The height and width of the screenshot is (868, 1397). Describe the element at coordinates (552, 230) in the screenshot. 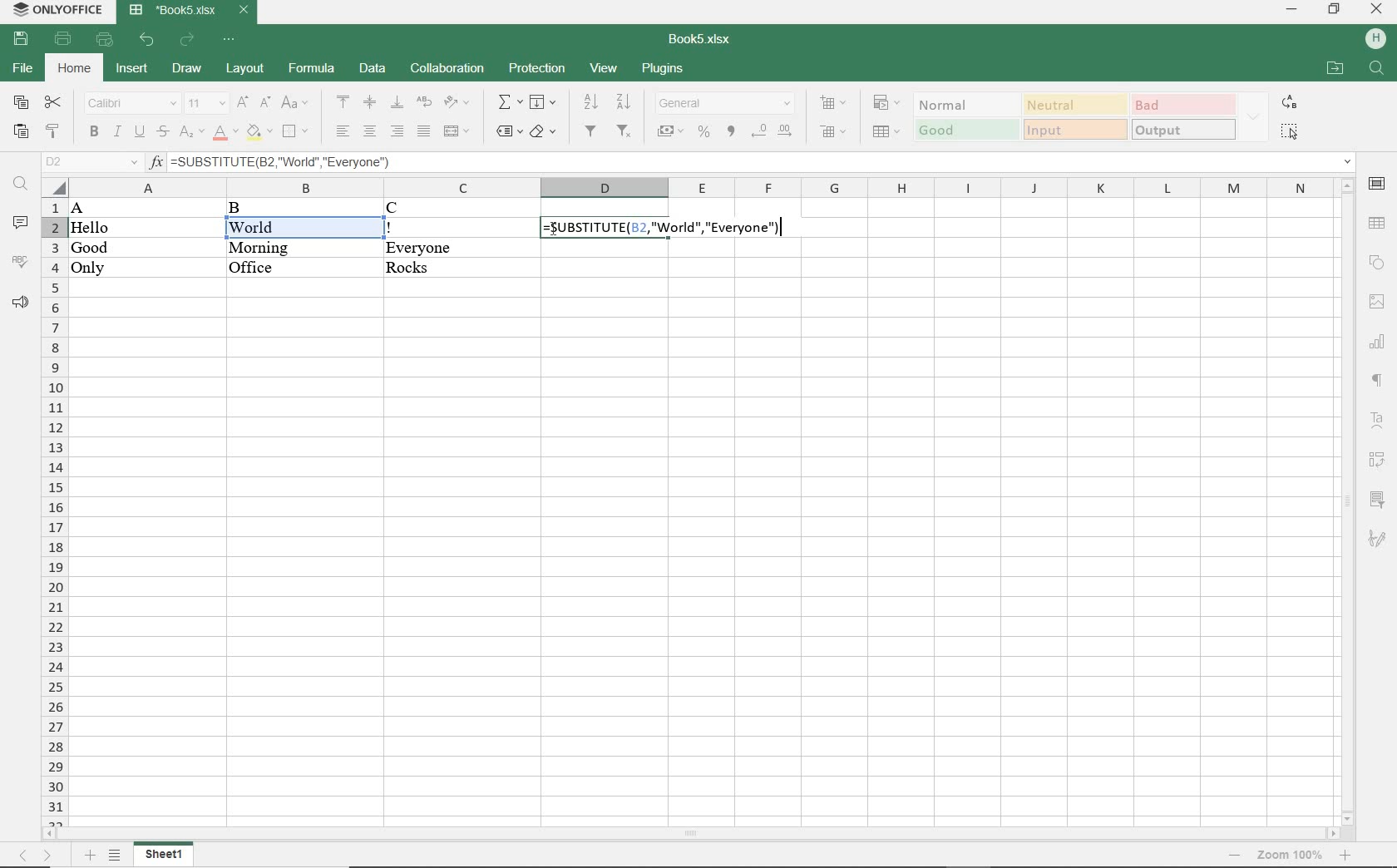

I see `cursor` at that location.